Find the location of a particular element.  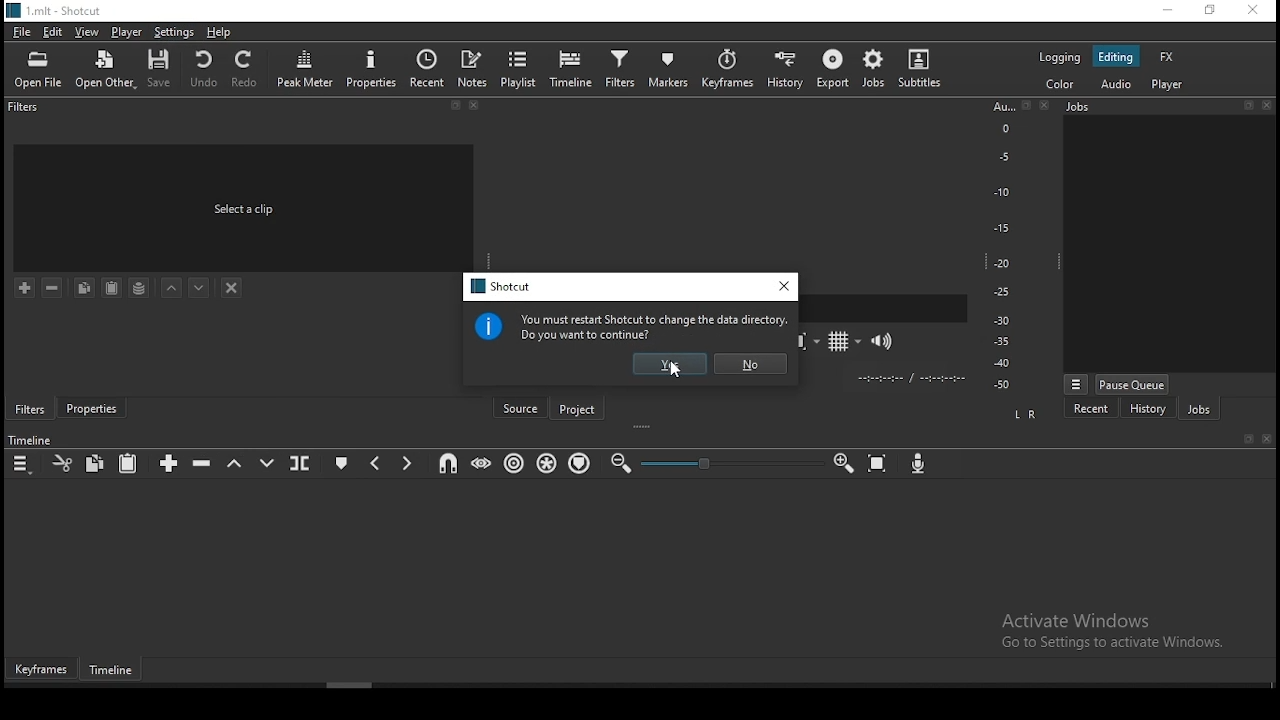

copy is located at coordinates (98, 464).